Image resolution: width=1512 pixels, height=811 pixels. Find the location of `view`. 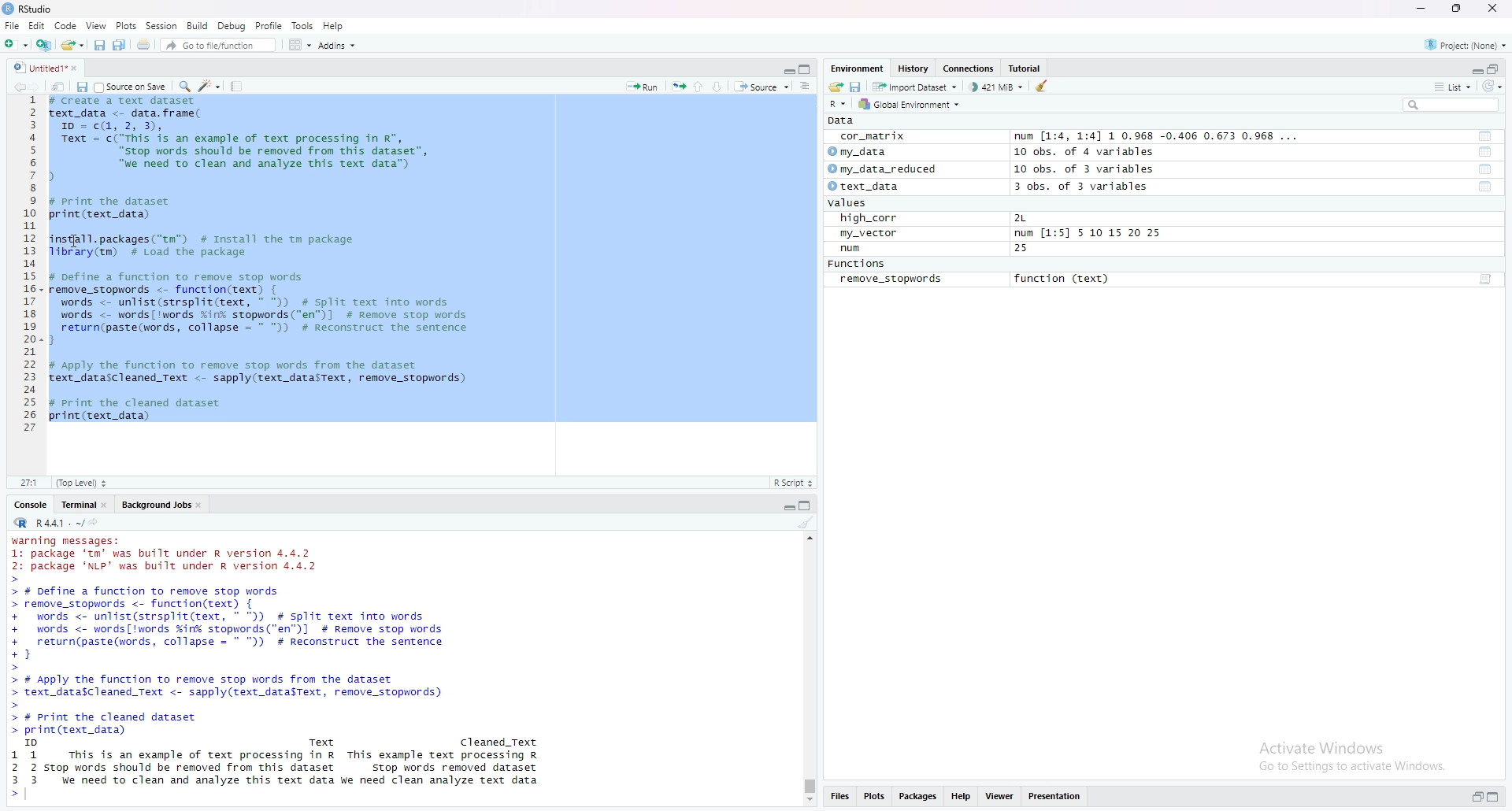

view is located at coordinates (97, 26).